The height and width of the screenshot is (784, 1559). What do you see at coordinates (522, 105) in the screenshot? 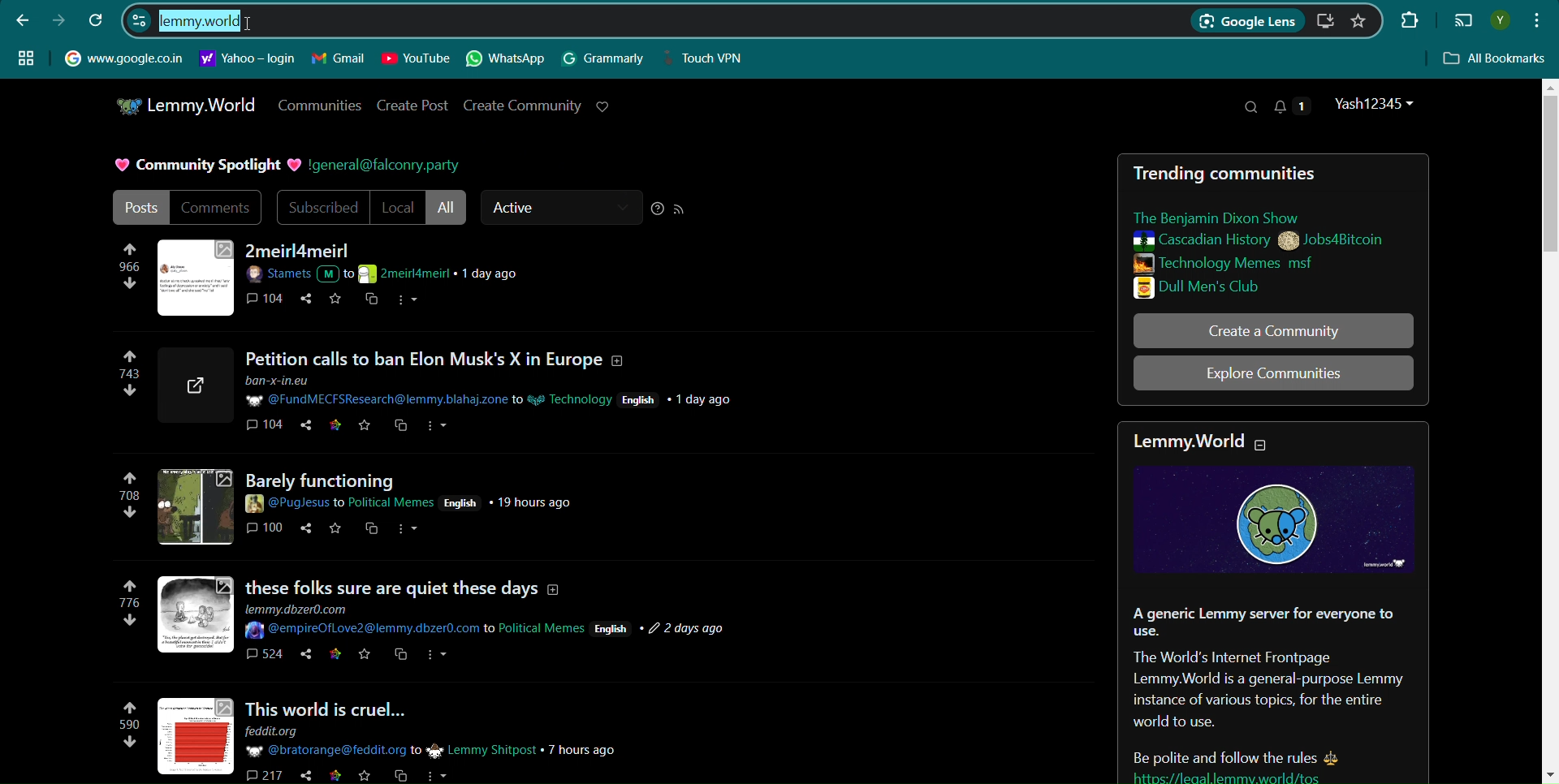
I see `Create Community` at bounding box center [522, 105].